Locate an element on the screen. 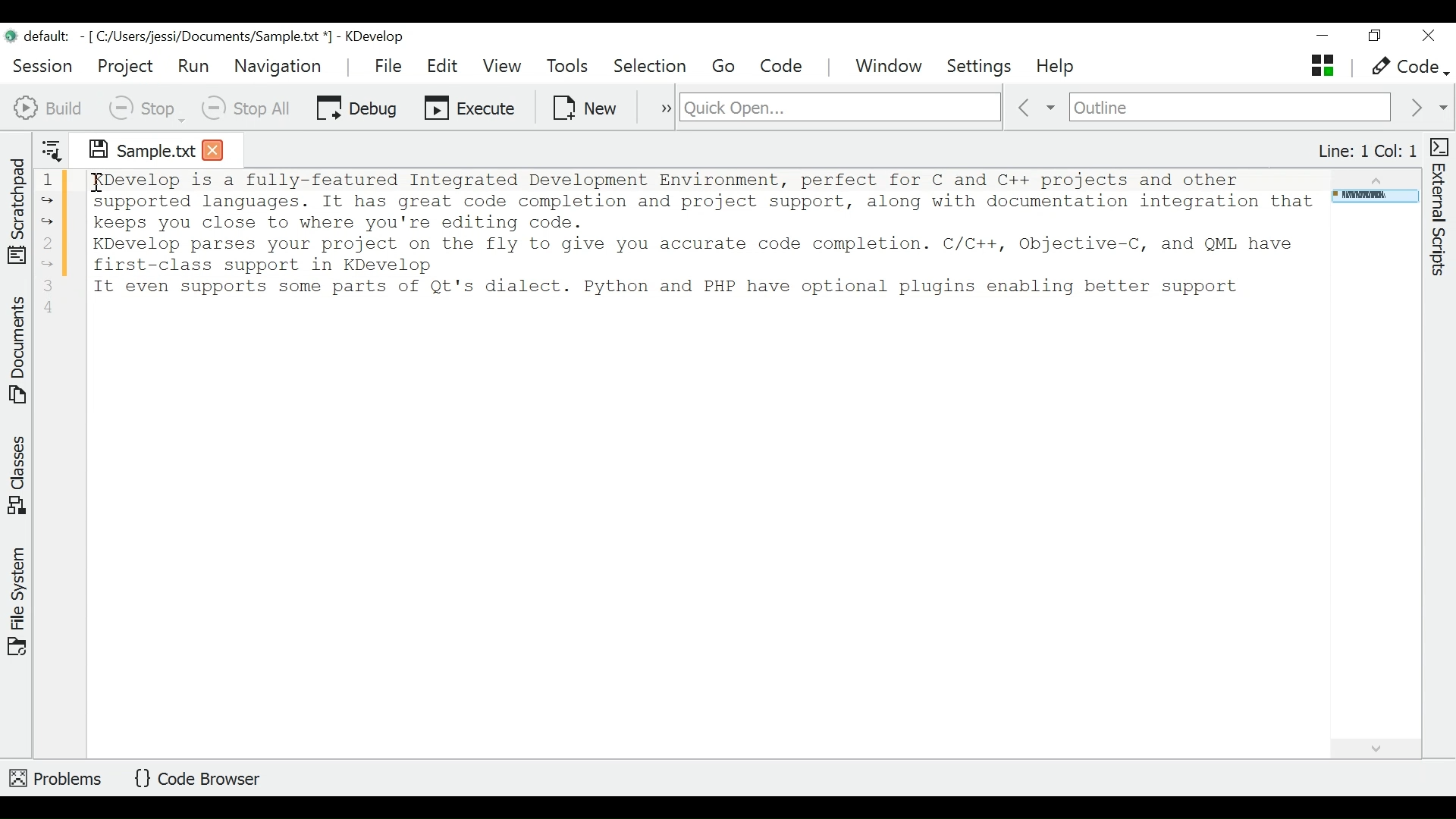  Stop All is located at coordinates (248, 108).